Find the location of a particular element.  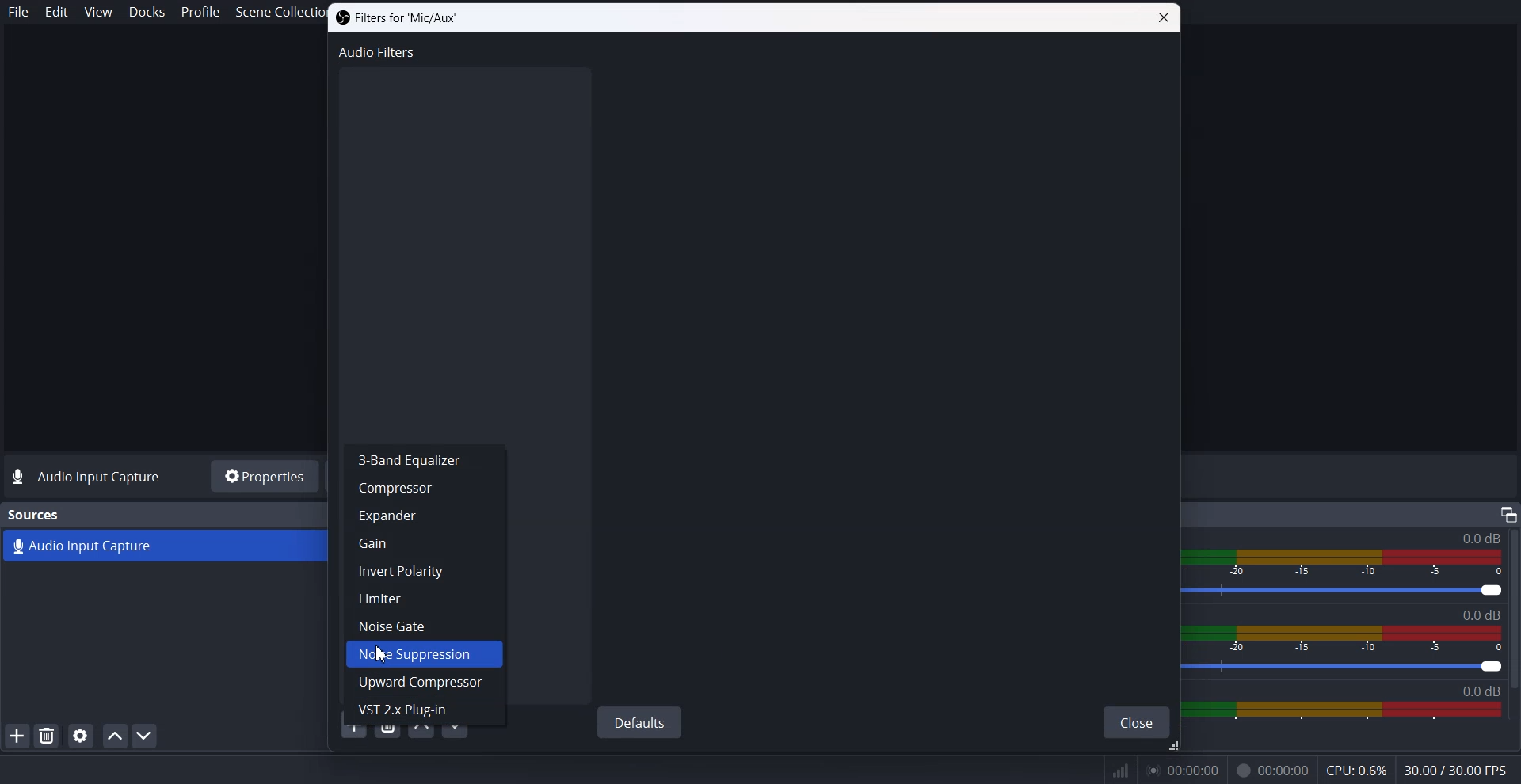

View is located at coordinates (97, 11).